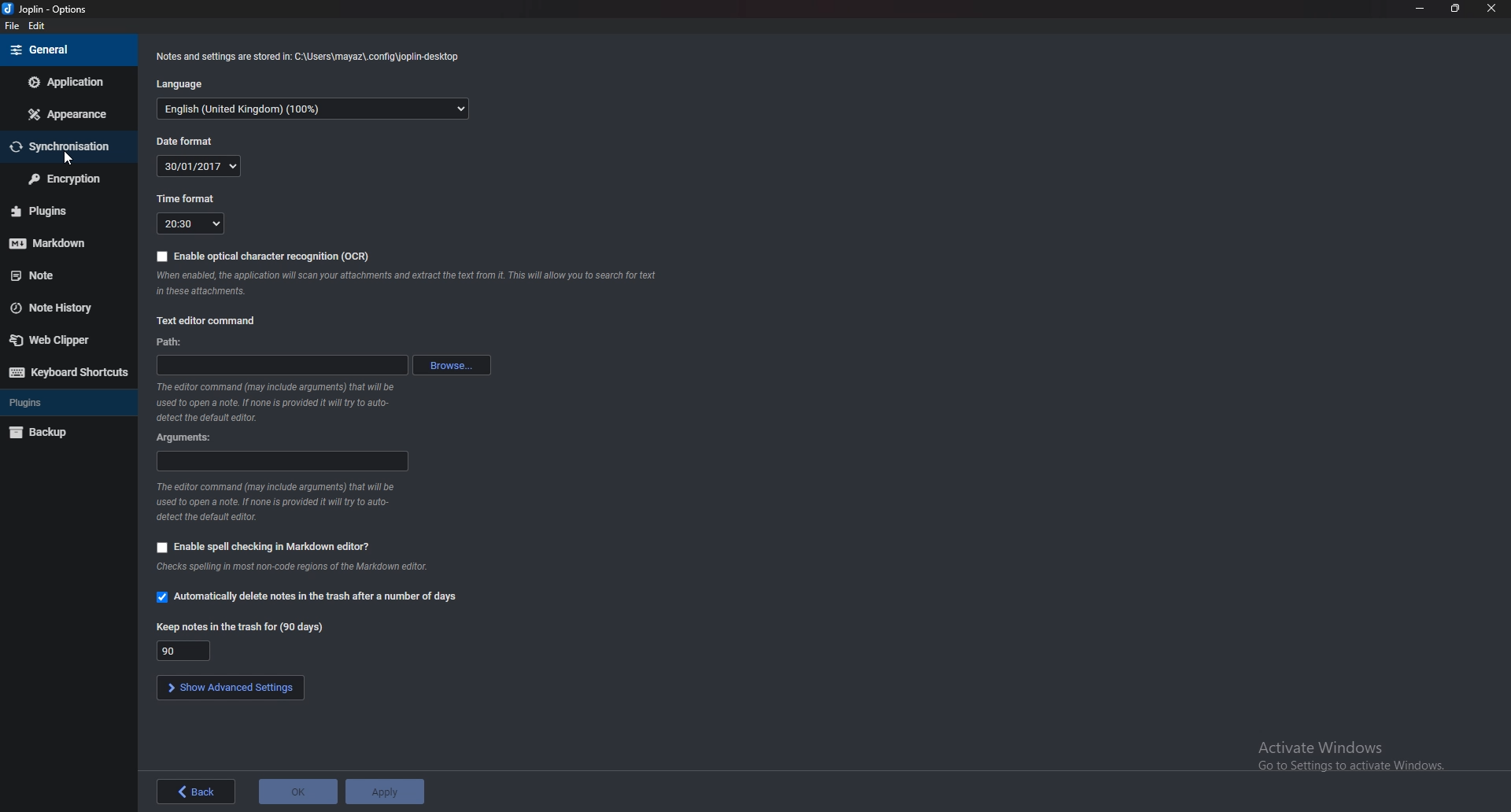  What do you see at coordinates (179, 84) in the screenshot?
I see `language` at bounding box center [179, 84].